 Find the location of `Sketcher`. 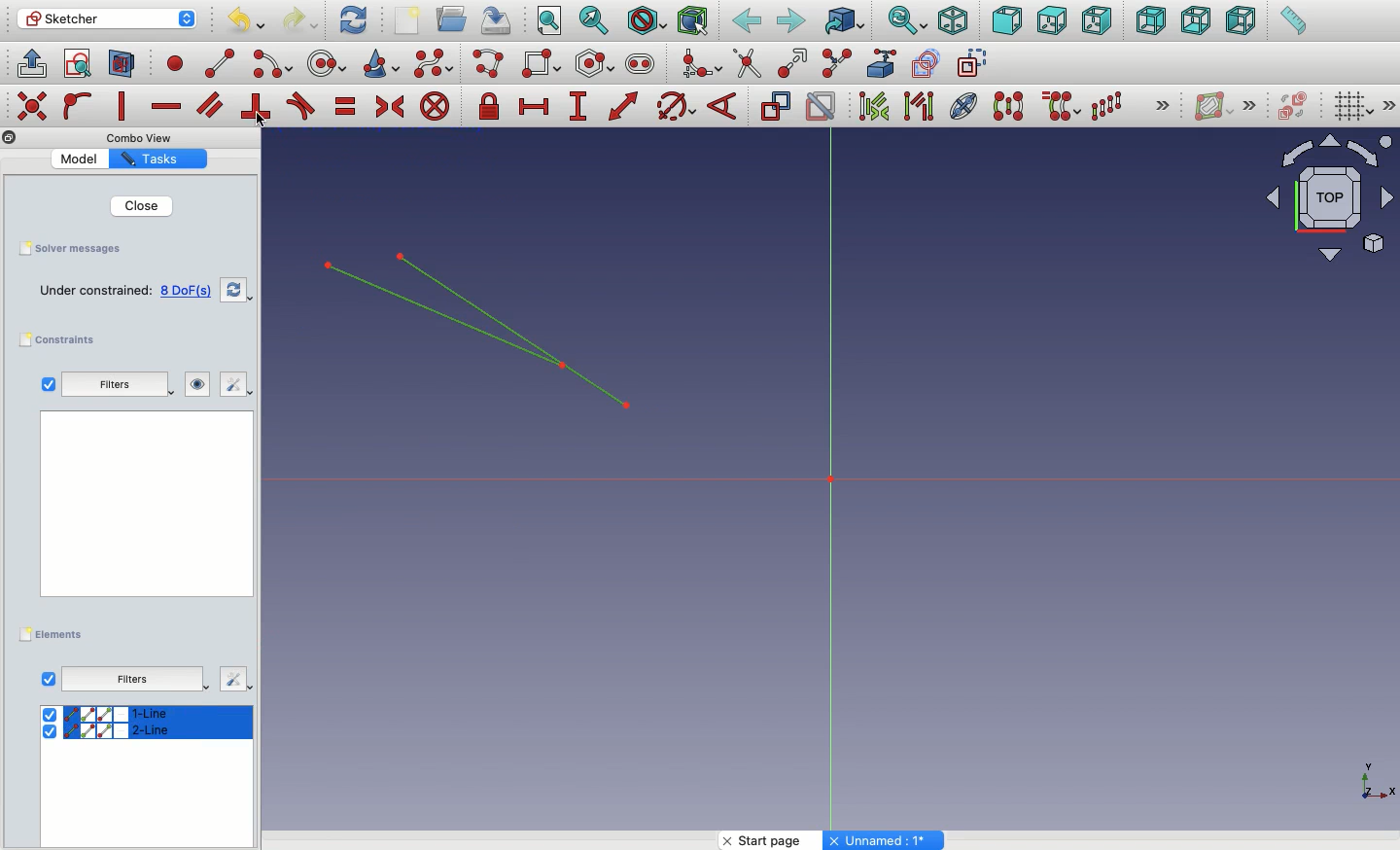

Sketcher is located at coordinates (108, 19).